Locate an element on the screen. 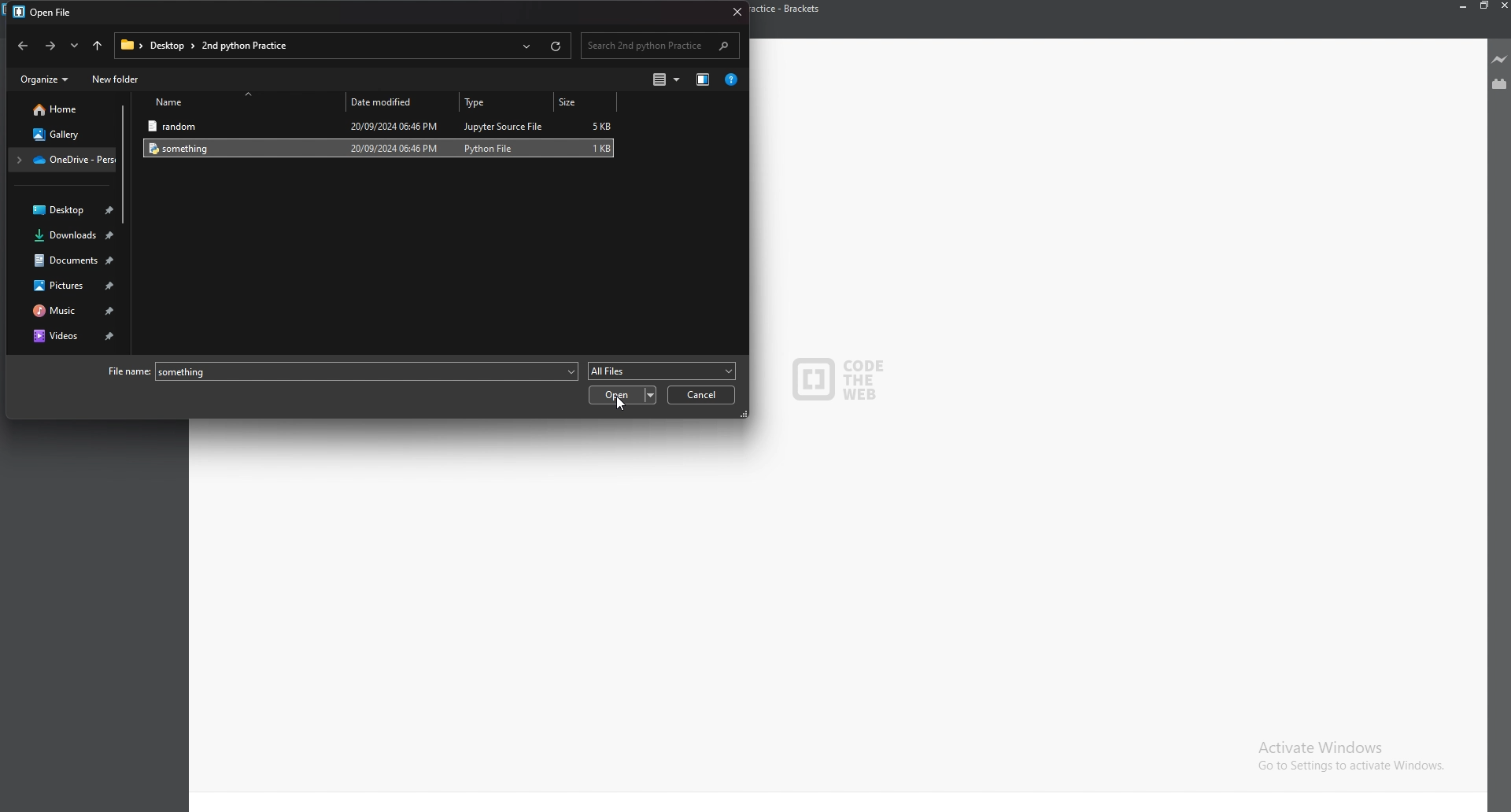  help is located at coordinates (732, 79).